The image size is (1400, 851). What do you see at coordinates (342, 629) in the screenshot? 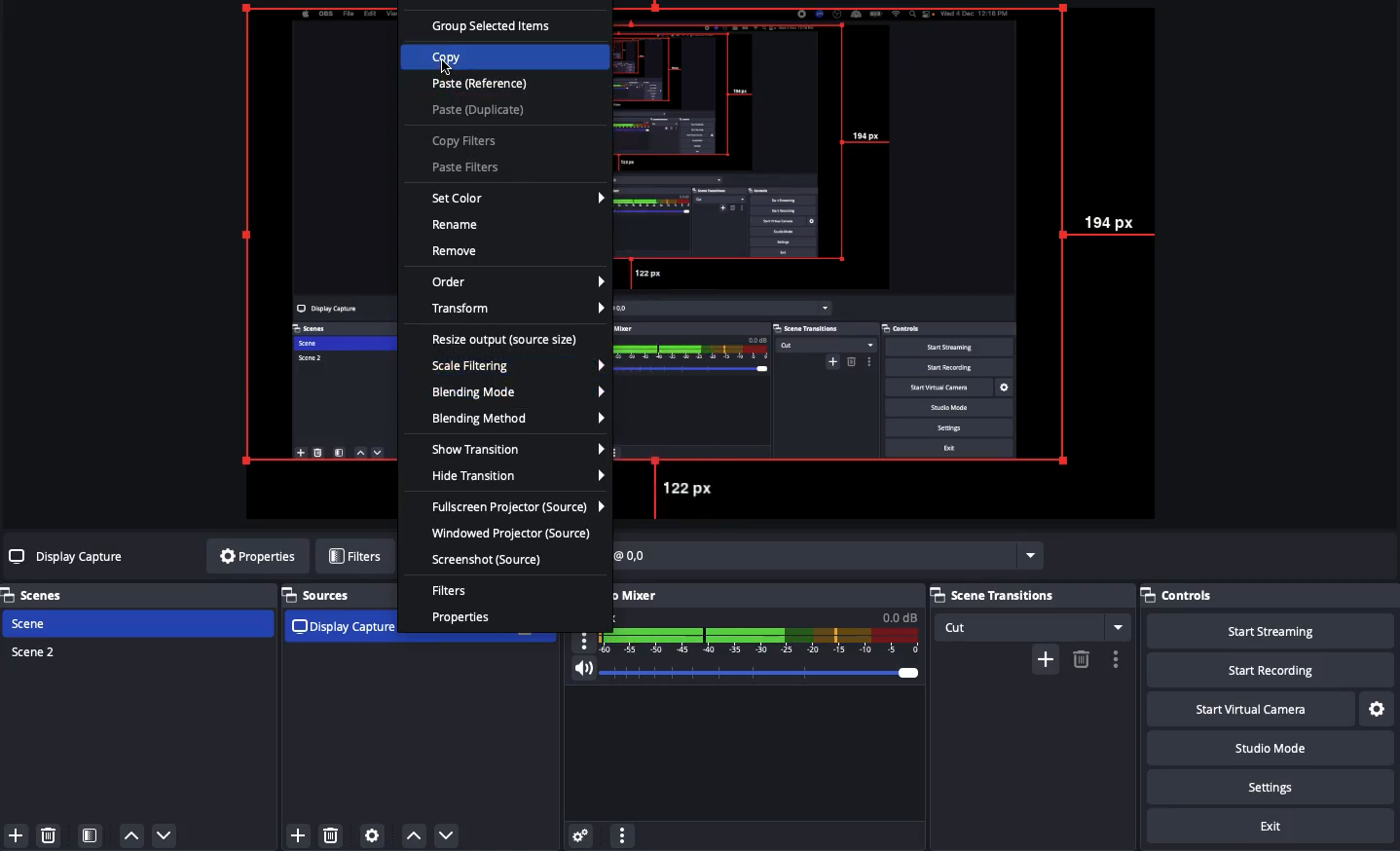
I see `Display capture` at bounding box center [342, 629].